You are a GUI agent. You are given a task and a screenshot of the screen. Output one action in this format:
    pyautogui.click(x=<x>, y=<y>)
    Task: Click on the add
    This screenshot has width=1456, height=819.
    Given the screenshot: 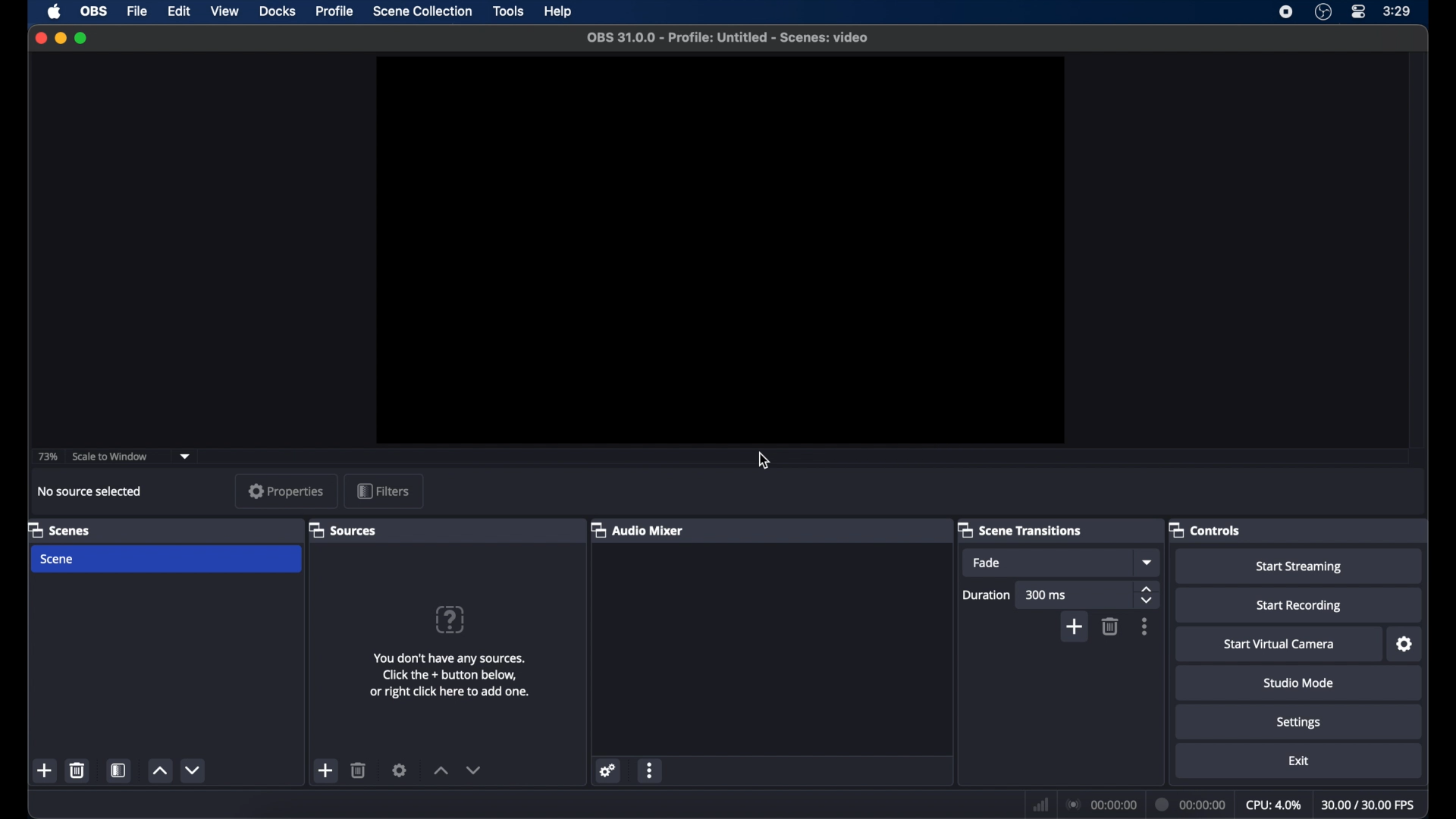 What is the action you would take?
    pyautogui.click(x=325, y=770)
    